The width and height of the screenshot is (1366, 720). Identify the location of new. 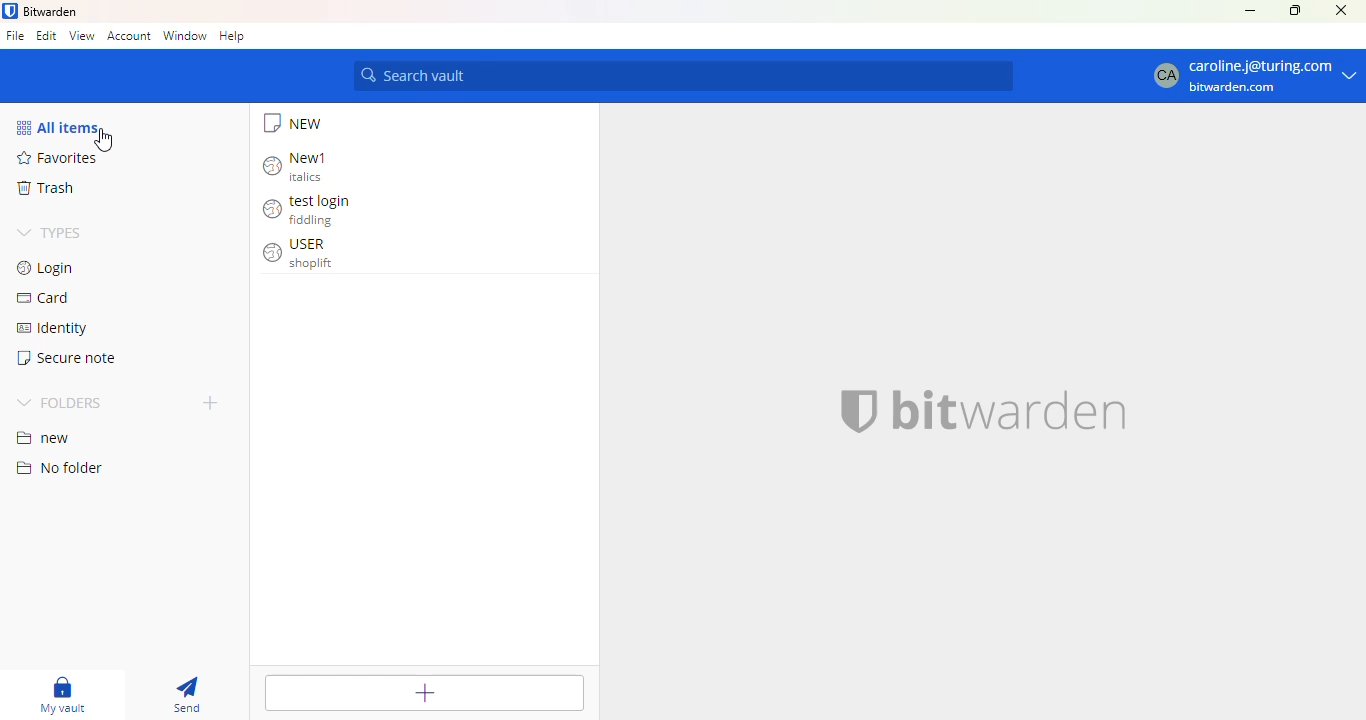
(297, 123).